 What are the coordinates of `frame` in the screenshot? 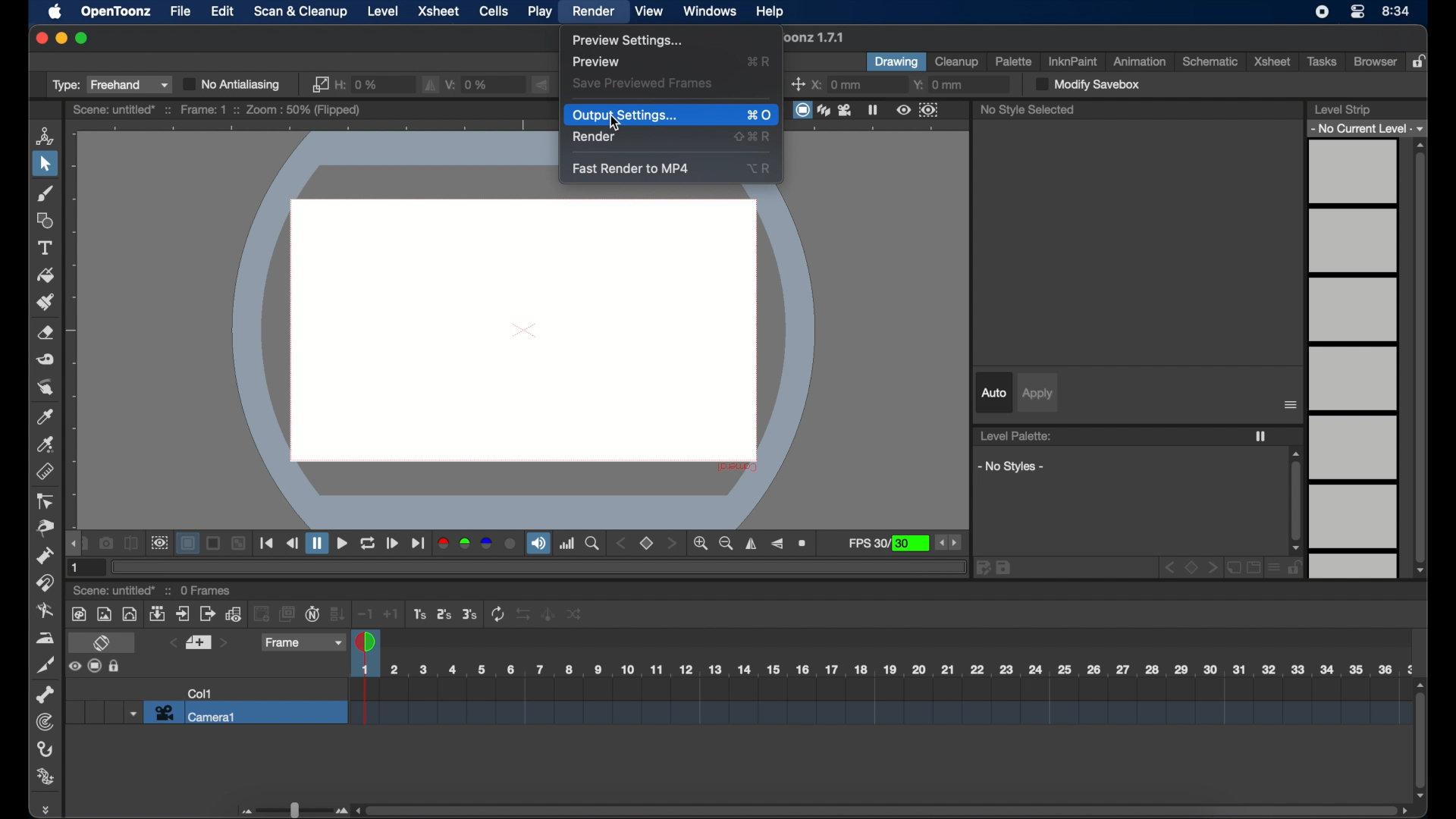 It's located at (301, 642).